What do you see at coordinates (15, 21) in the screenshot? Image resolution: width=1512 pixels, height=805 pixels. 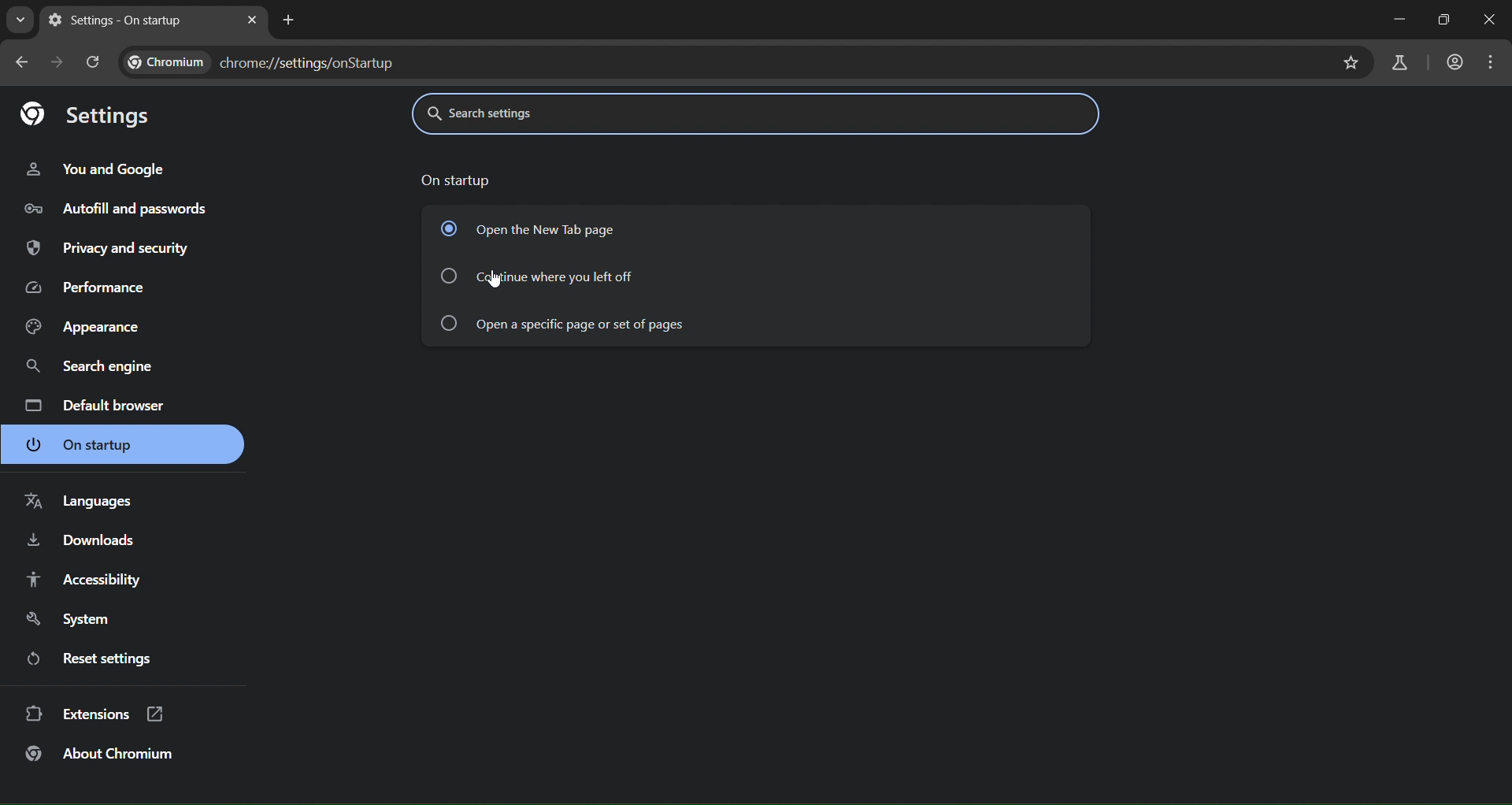 I see `search page` at bounding box center [15, 21].